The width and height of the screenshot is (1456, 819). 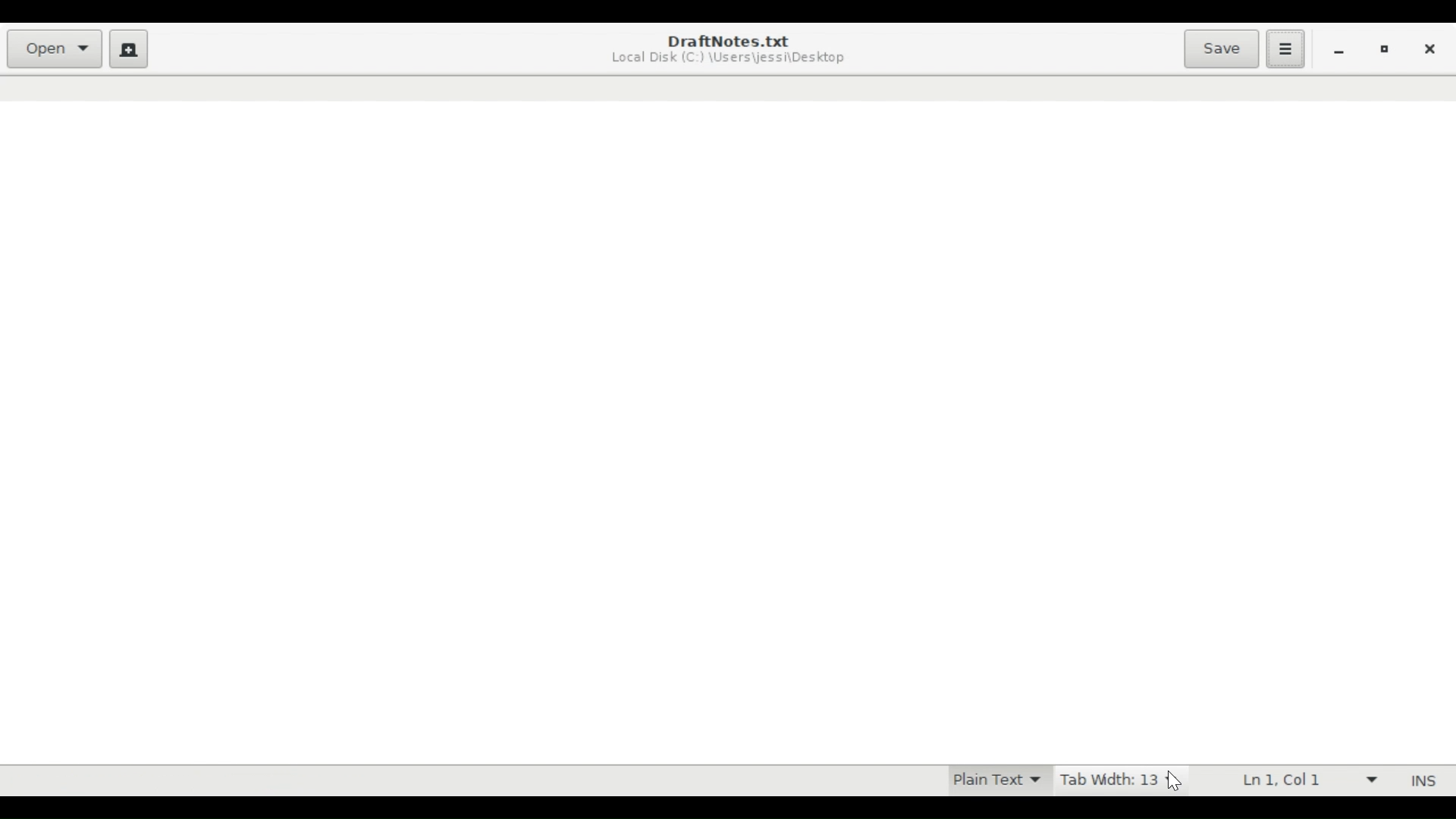 What do you see at coordinates (1420, 781) in the screenshot?
I see `Insert Mode` at bounding box center [1420, 781].